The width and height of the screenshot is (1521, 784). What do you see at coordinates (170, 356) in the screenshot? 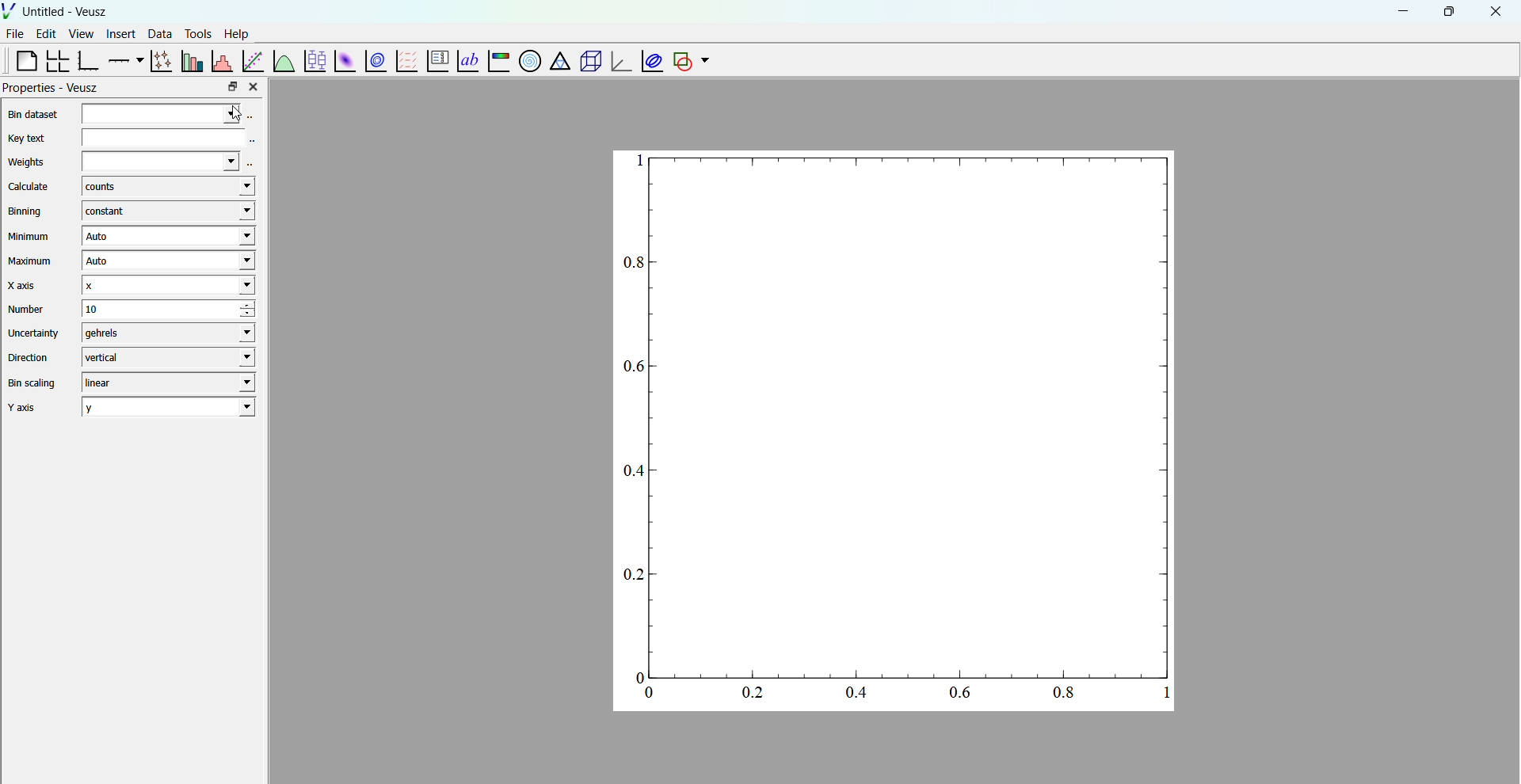
I see `vertical` at bounding box center [170, 356].